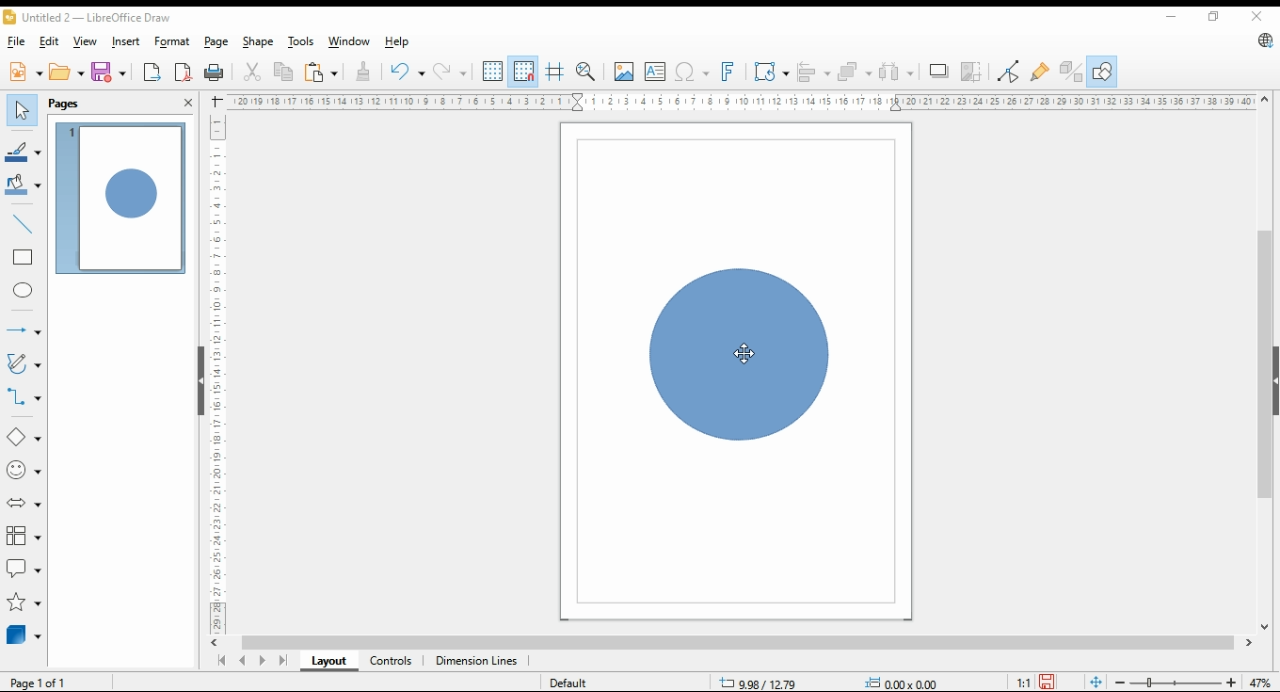  Describe the element at coordinates (972, 72) in the screenshot. I see `crop` at that location.